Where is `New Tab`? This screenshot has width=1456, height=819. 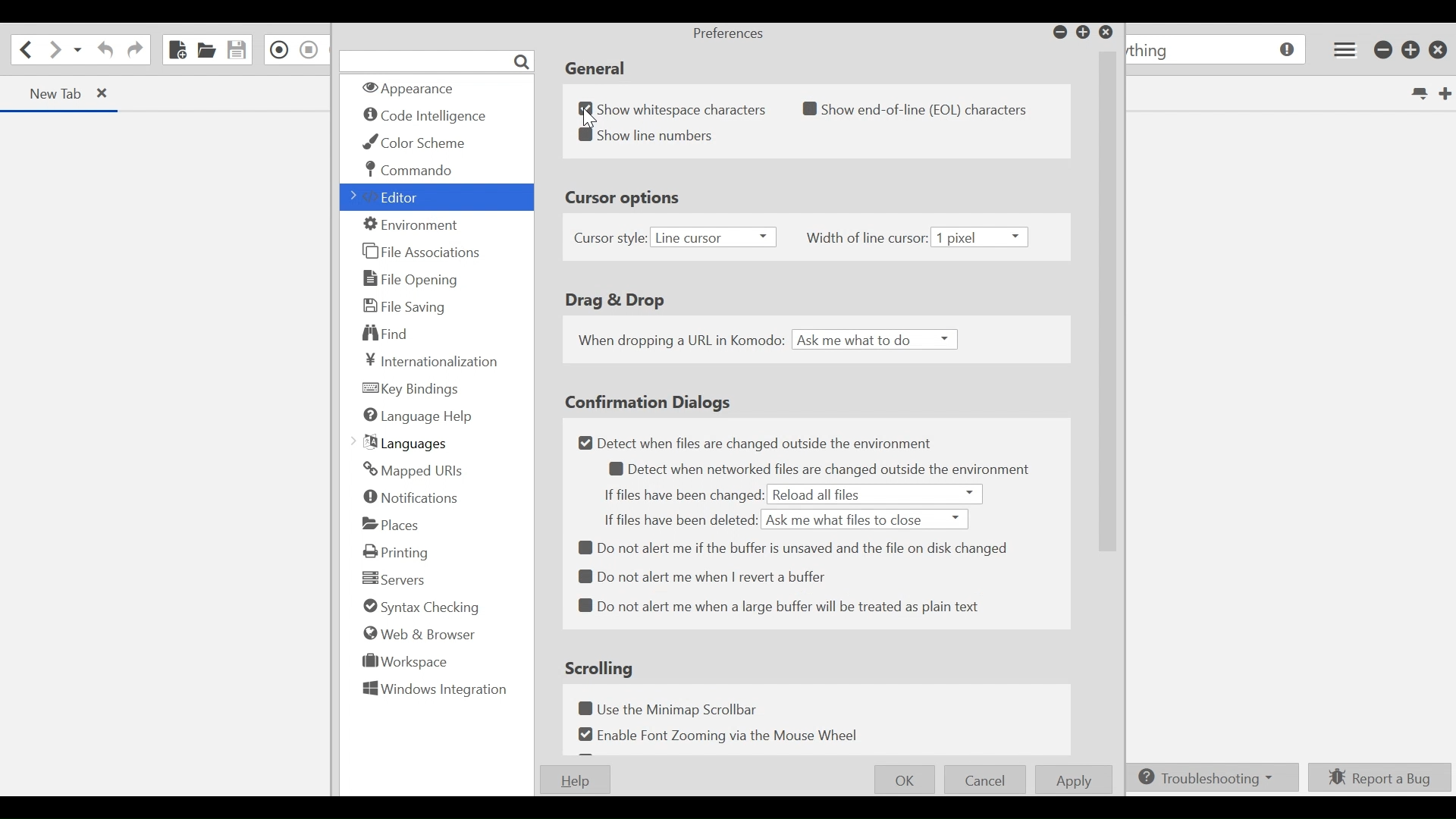
New Tab is located at coordinates (1445, 92).